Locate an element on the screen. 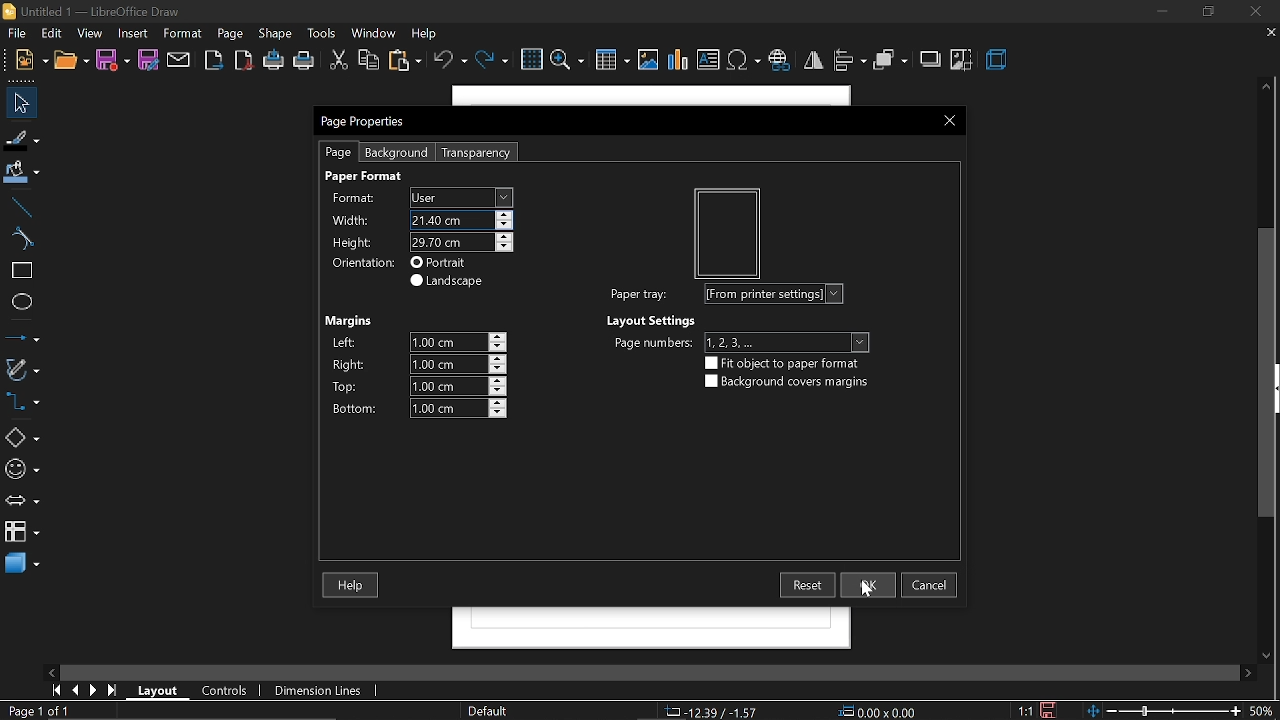  controls is located at coordinates (225, 689).